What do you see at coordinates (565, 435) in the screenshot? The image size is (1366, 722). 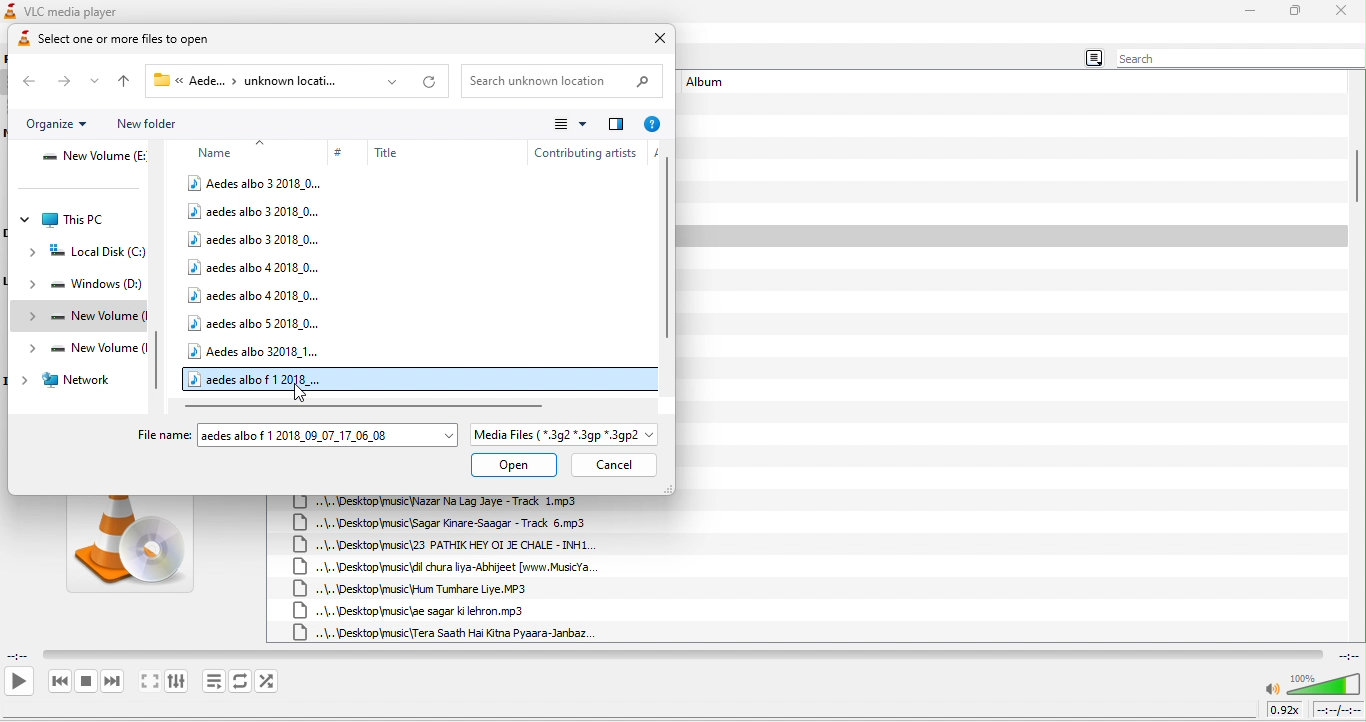 I see `Media Files ( *.3g2 *.3gp *.3gp2` at bounding box center [565, 435].